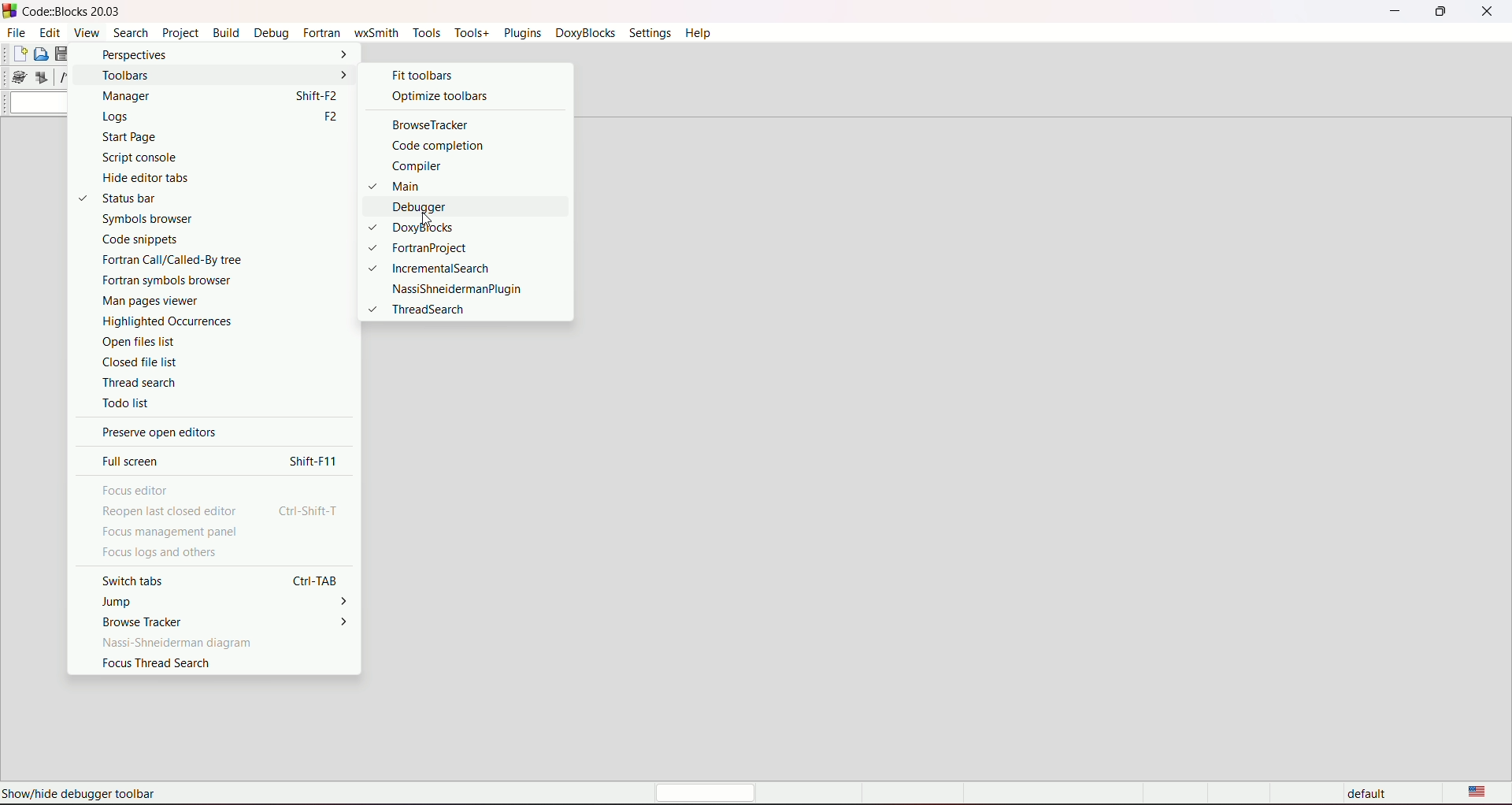 The width and height of the screenshot is (1512, 805). I want to click on hide editor tabs, so click(195, 177).